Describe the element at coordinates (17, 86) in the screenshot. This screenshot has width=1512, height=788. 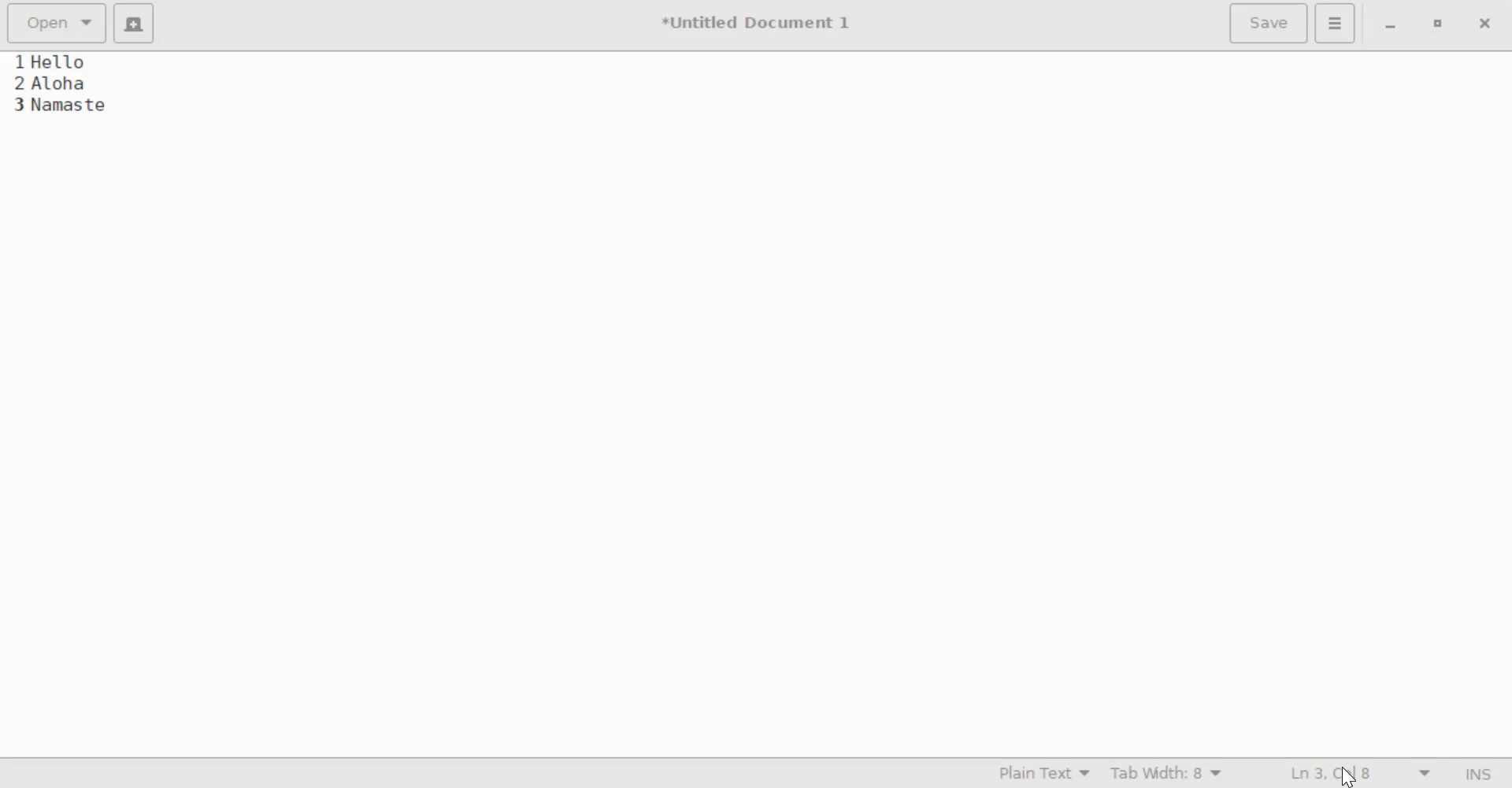
I see `line numbers` at that location.